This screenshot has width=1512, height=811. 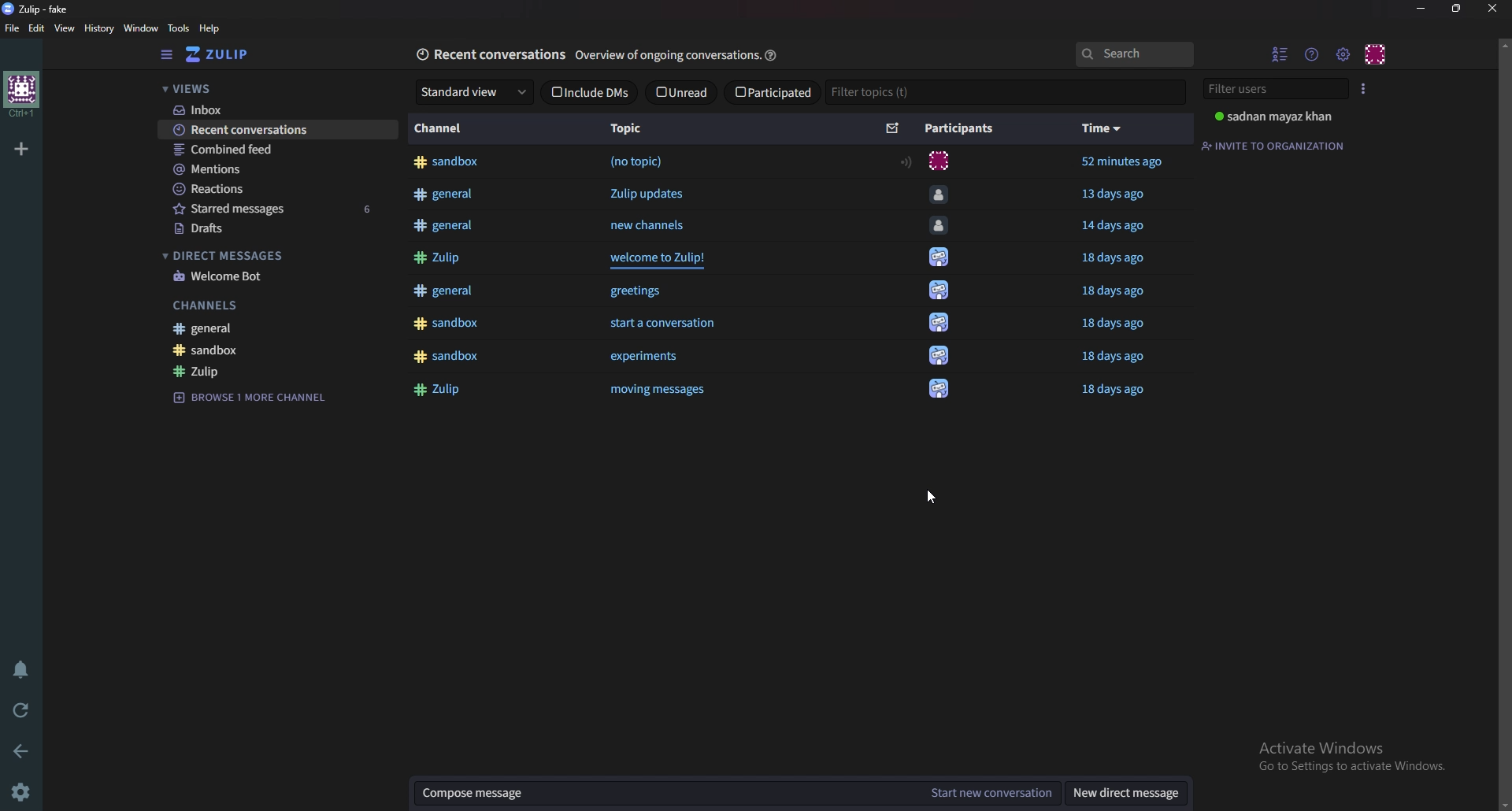 What do you see at coordinates (1422, 7) in the screenshot?
I see `Minimize` at bounding box center [1422, 7].